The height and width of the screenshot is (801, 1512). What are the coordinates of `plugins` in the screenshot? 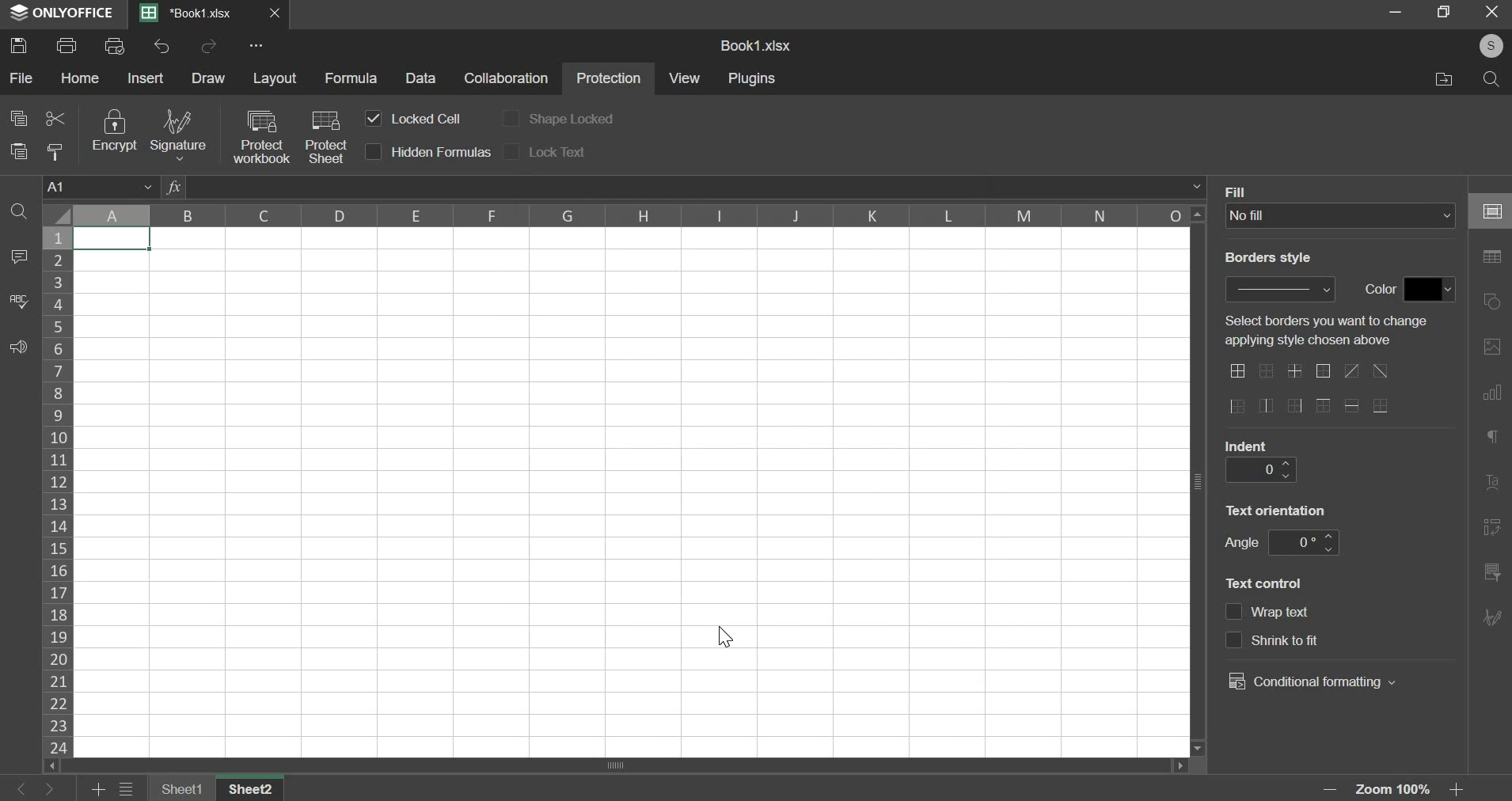 It's located at (754, 79).